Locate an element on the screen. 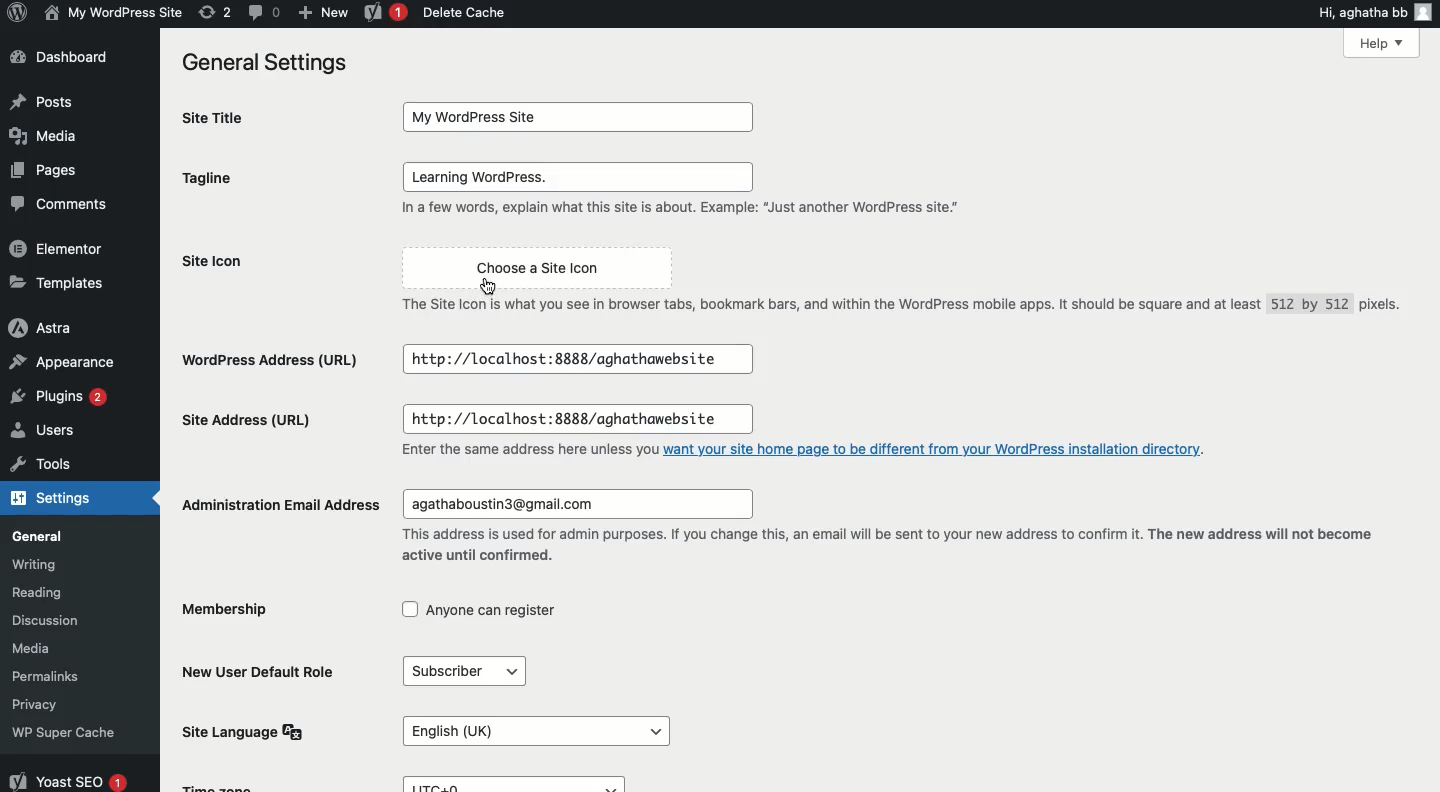 The image size is (1440, 792). Help  is located at coordinates (1383, 45).